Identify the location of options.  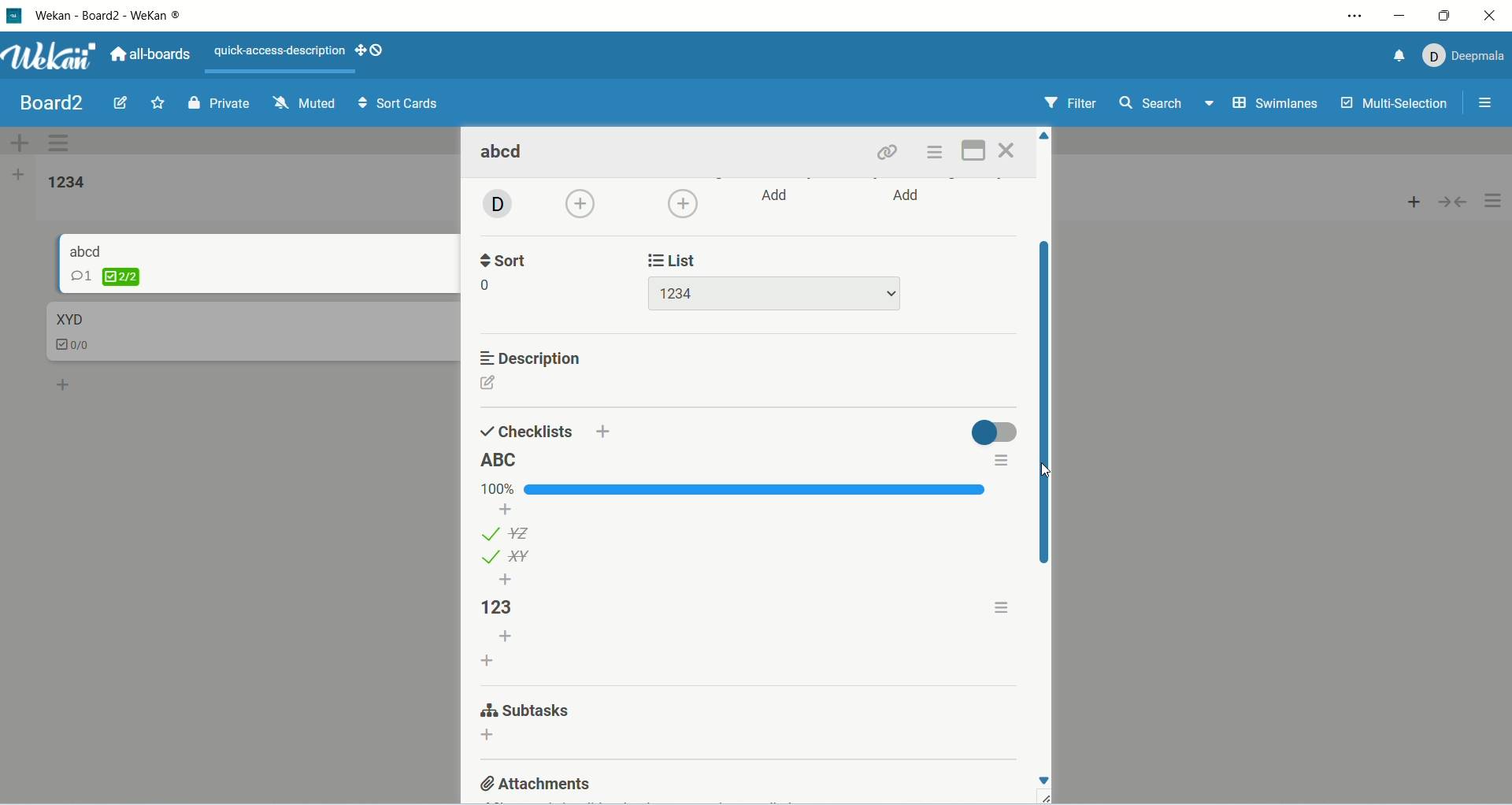
(1490, 101).